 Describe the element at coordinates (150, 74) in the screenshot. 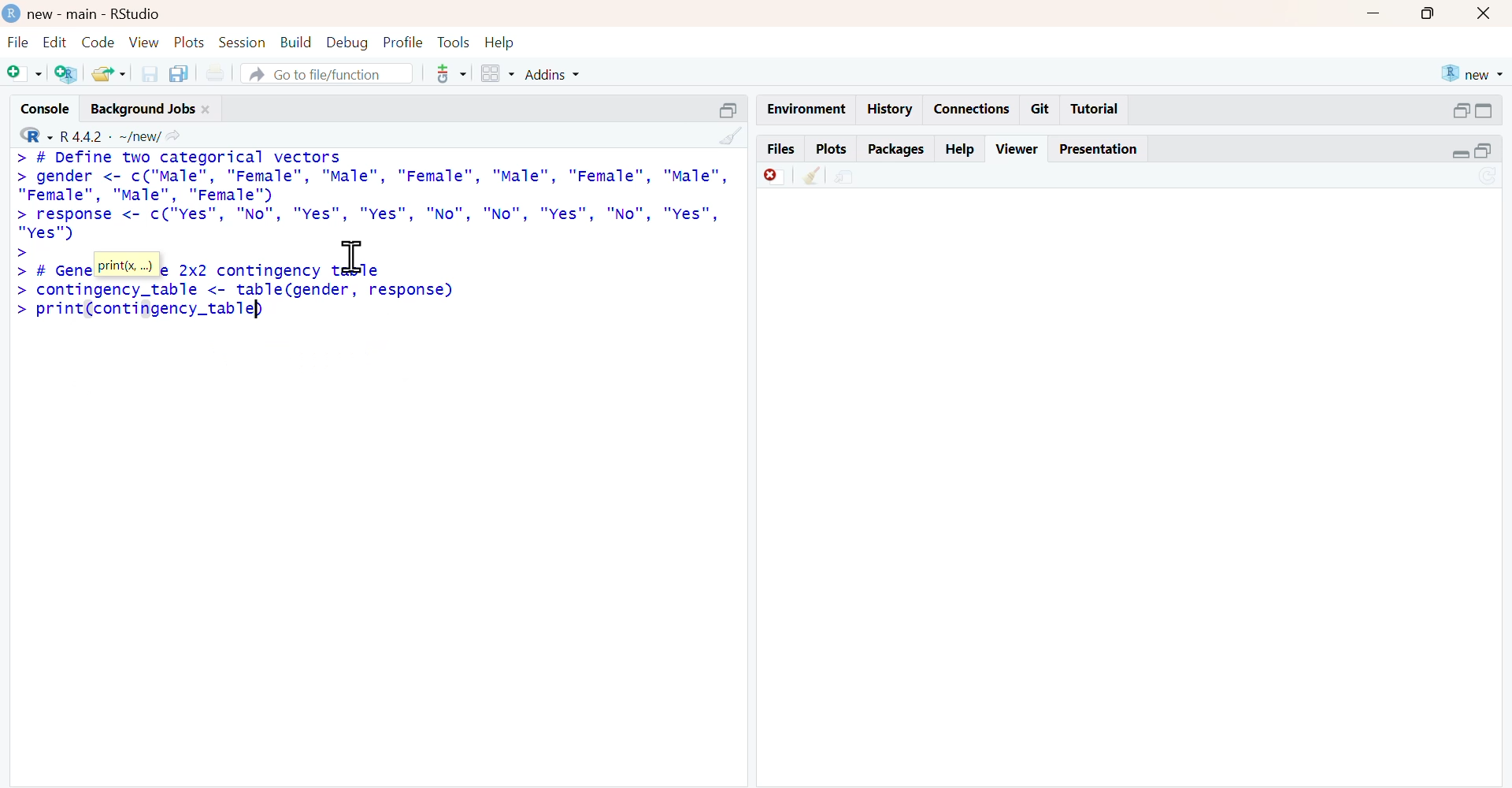

I see `save` at that location.